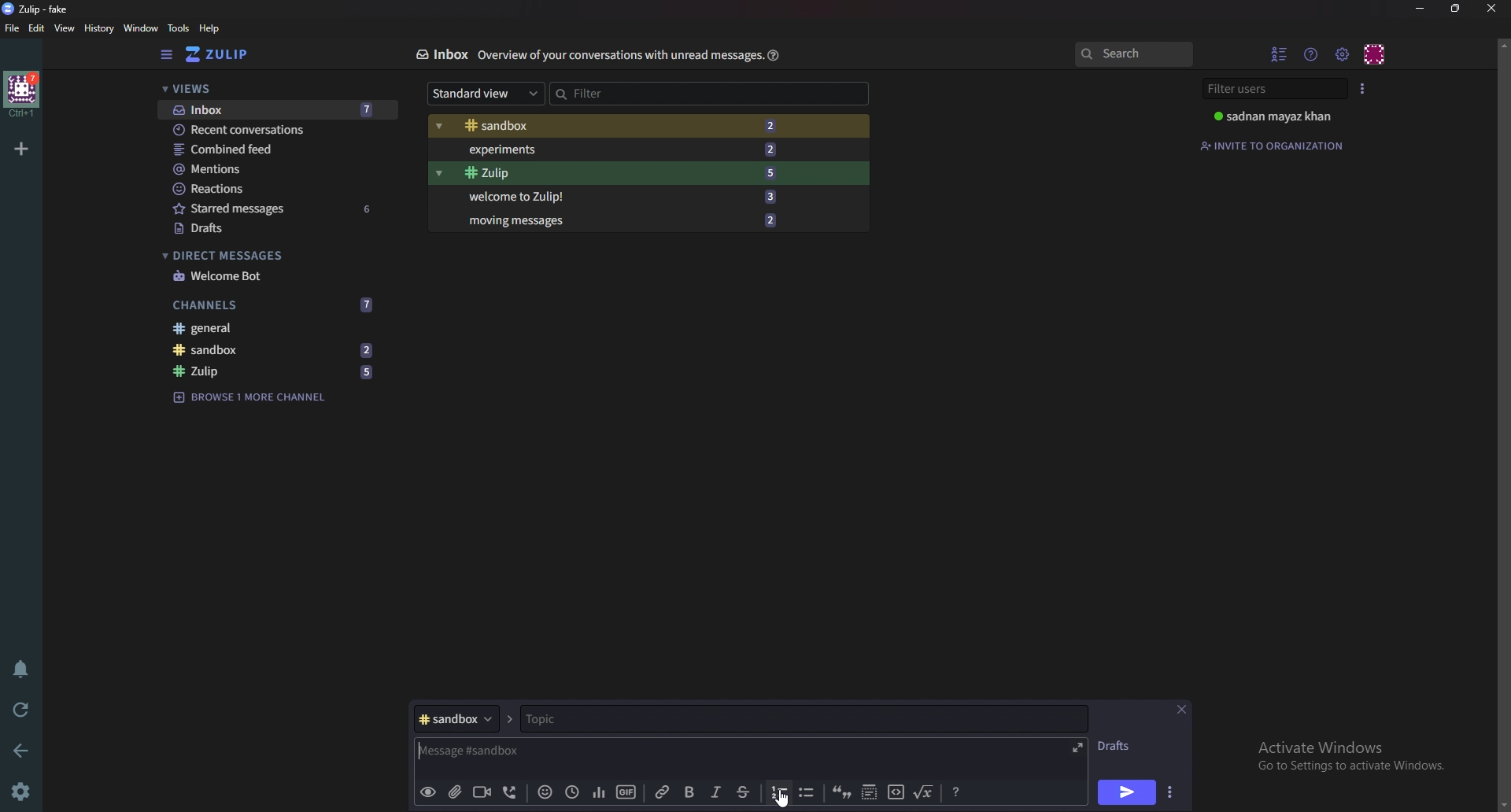 The height and width of the screenshot is (812, 1511). What do you see at coordinates (166, 55) in the screenshot?
I see `Hide sidebar` at bounding box center [166, 55].